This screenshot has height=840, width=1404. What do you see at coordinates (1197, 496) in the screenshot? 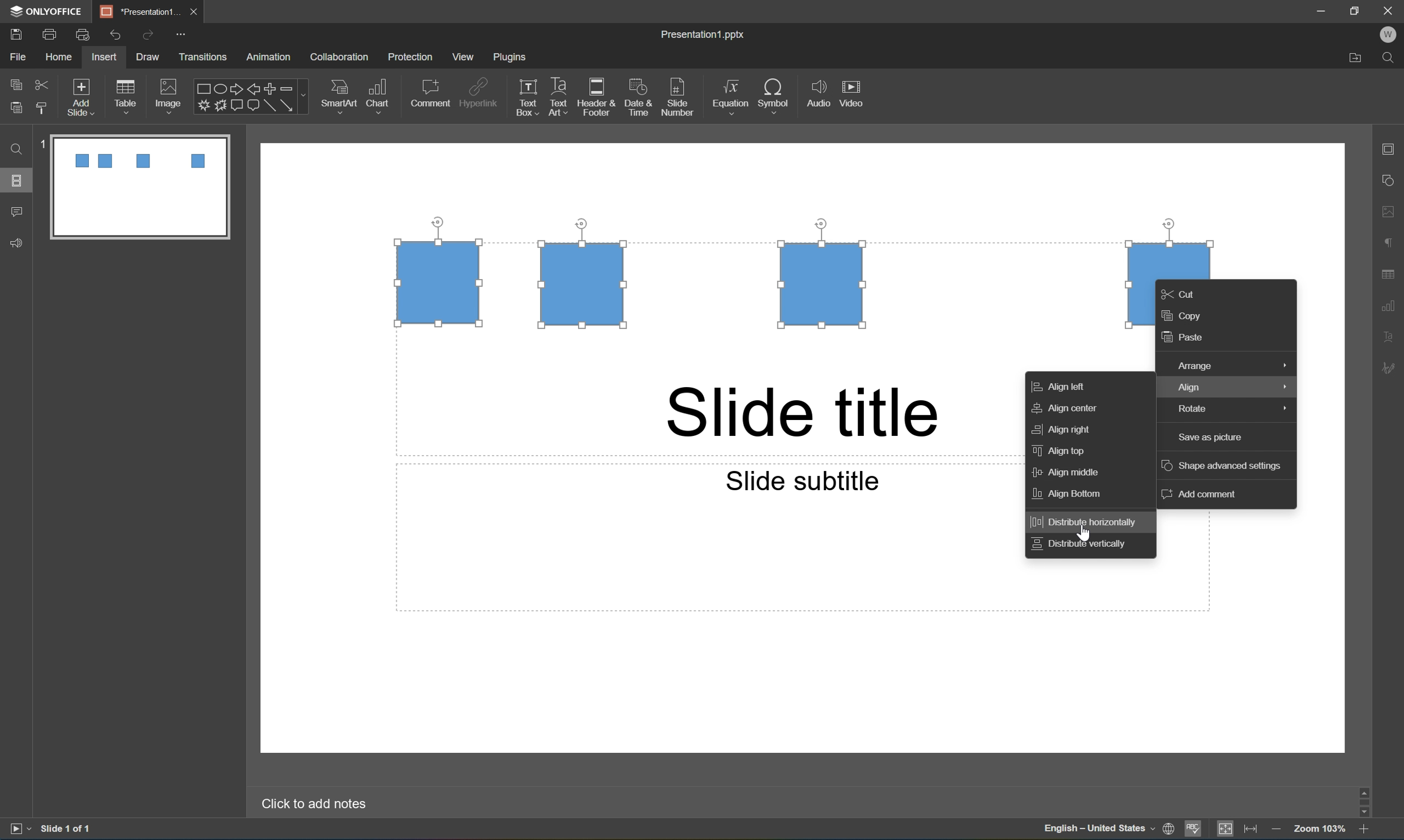
I see `add comment` at bounding box center [1197, 496].